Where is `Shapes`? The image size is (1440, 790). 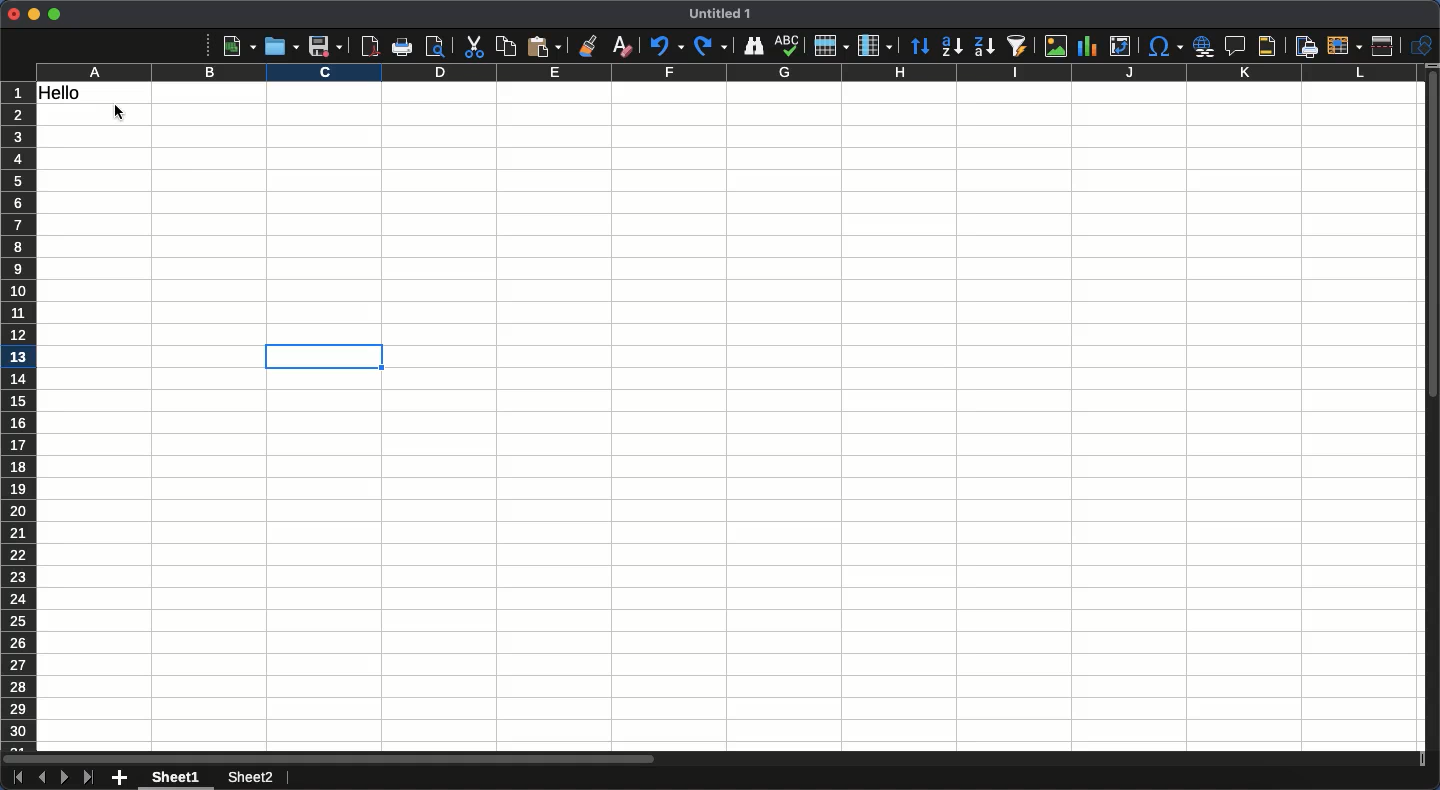
Shapes is located at coordinates (1422, 46).